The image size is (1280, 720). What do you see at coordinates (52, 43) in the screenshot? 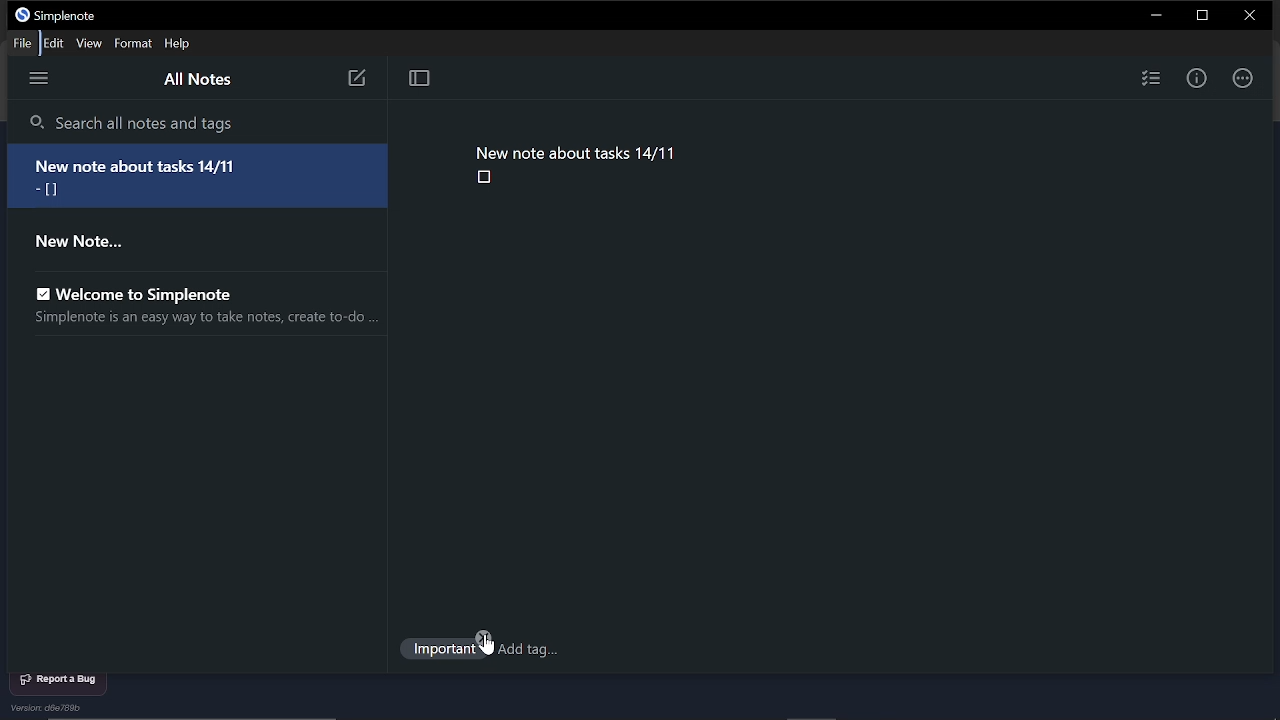
I see `Edit` at bounding box center [52, 43].